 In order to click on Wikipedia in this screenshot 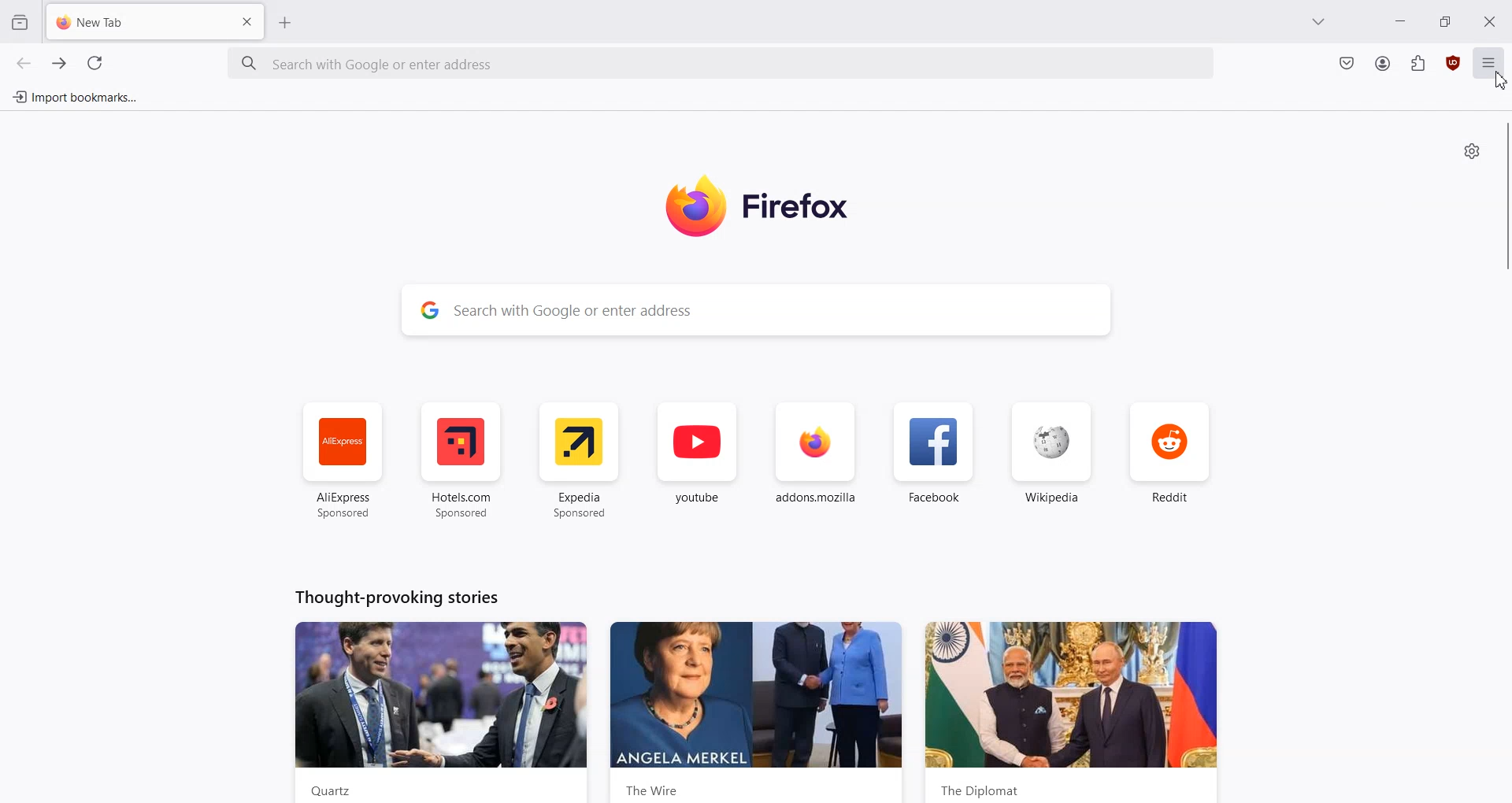, I will do `click(1052, 461)`.